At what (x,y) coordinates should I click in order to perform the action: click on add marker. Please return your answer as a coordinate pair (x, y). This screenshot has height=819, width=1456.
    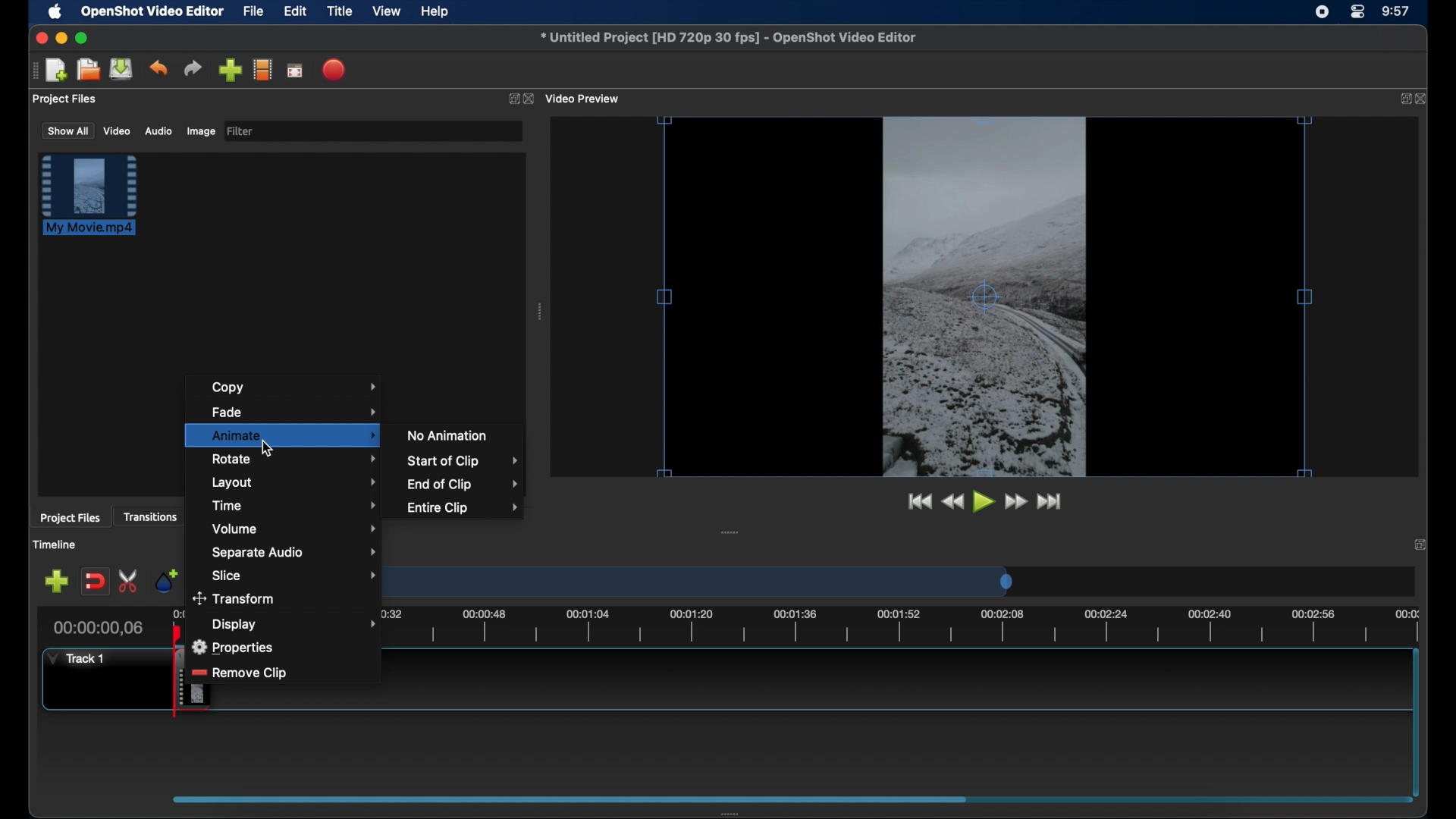
    Looking at the image, I should click on (166, 579).